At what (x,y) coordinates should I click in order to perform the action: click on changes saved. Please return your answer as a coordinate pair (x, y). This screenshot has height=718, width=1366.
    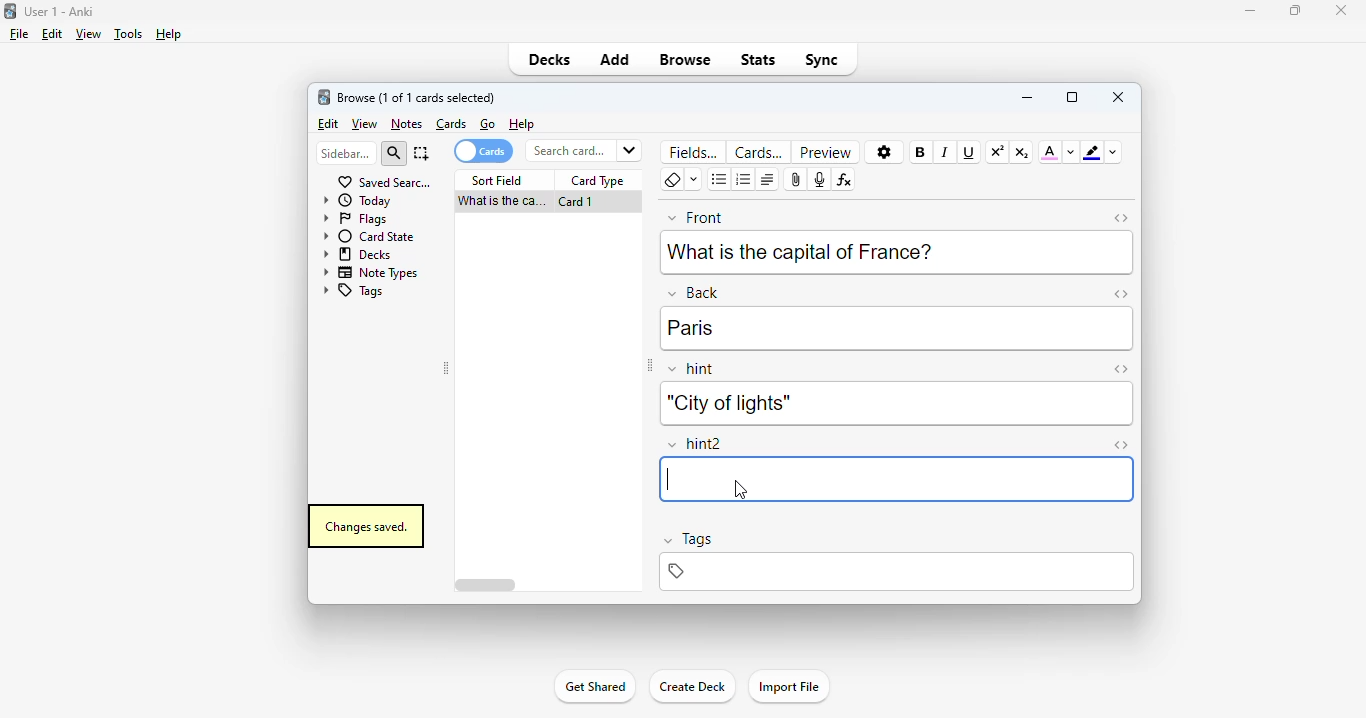
    Looking at the image, I should click on (365, 526).